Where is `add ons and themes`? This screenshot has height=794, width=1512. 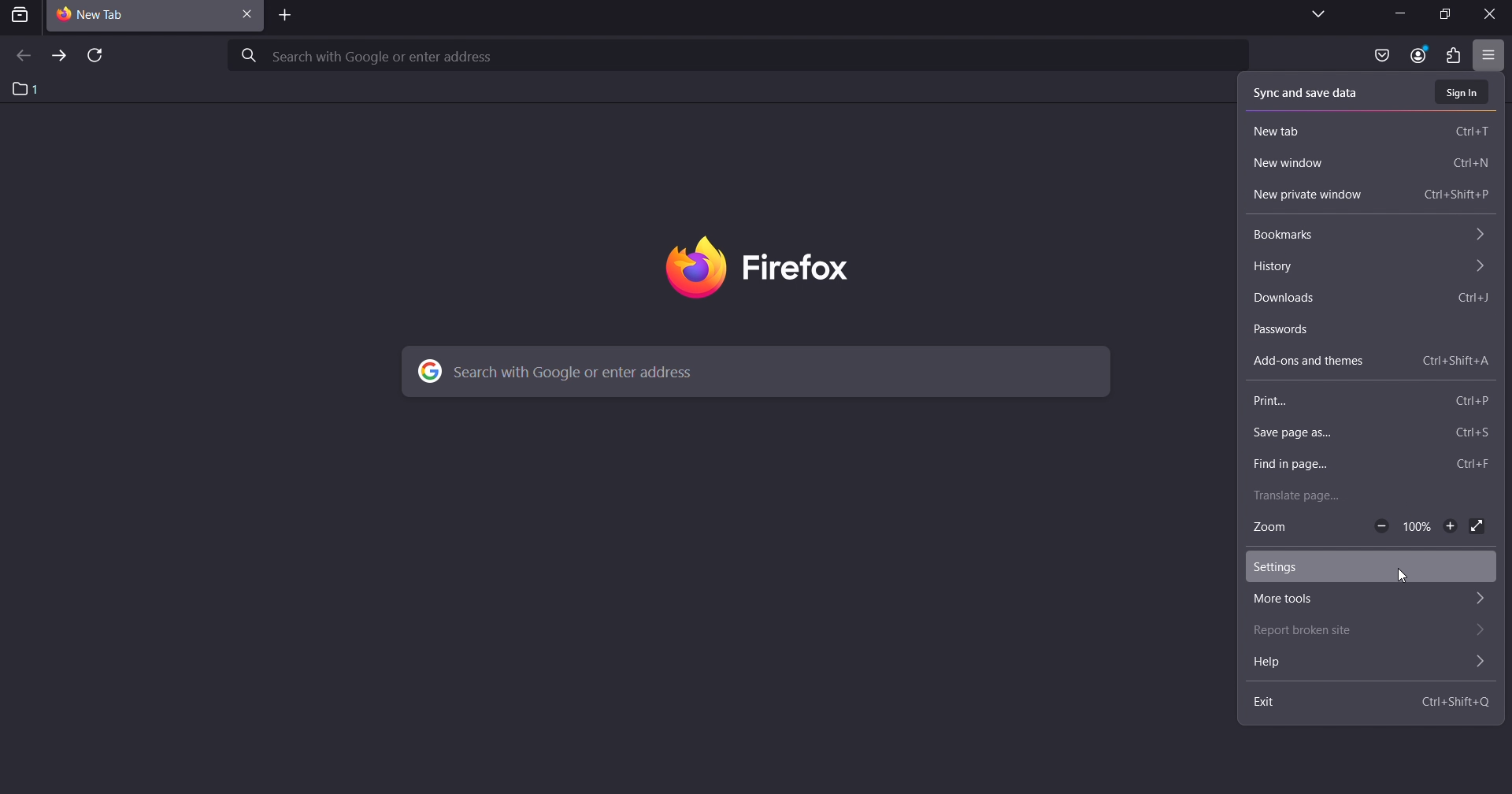
add ons and themes is located at coordinates (1370, 362).